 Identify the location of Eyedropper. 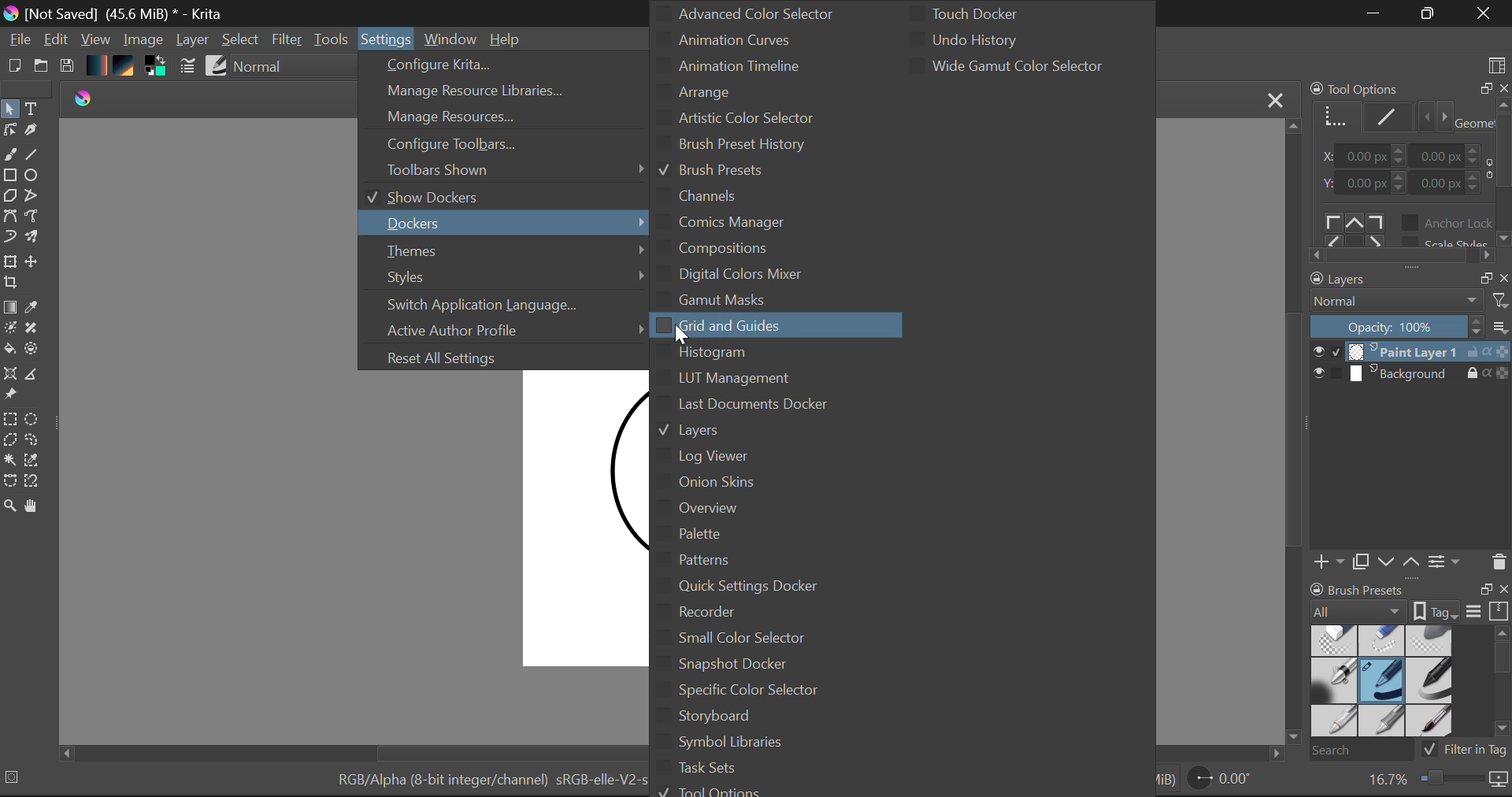
(35, 309).